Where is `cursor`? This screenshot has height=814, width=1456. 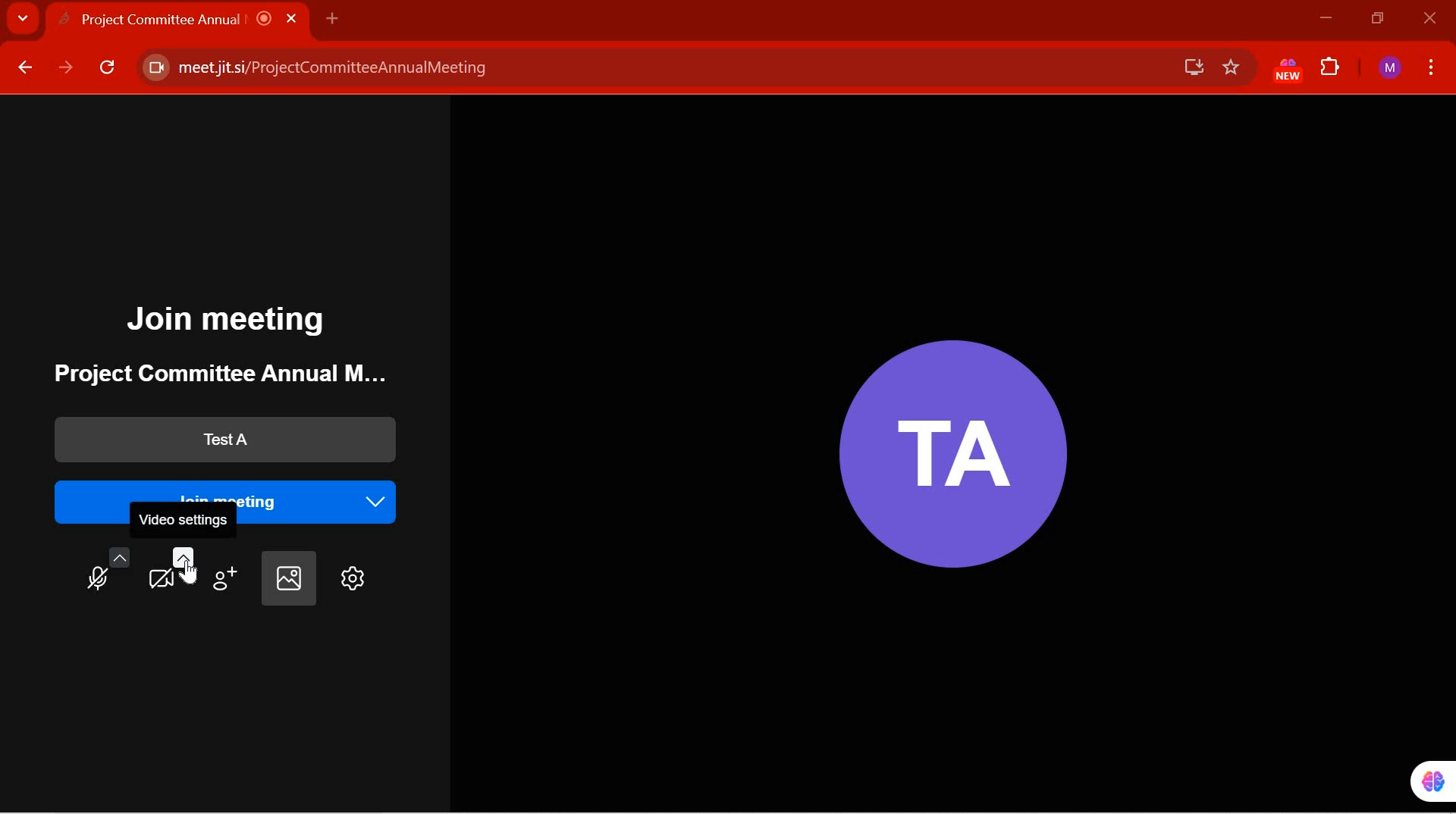
cursor is located at coordinates (190, 571).